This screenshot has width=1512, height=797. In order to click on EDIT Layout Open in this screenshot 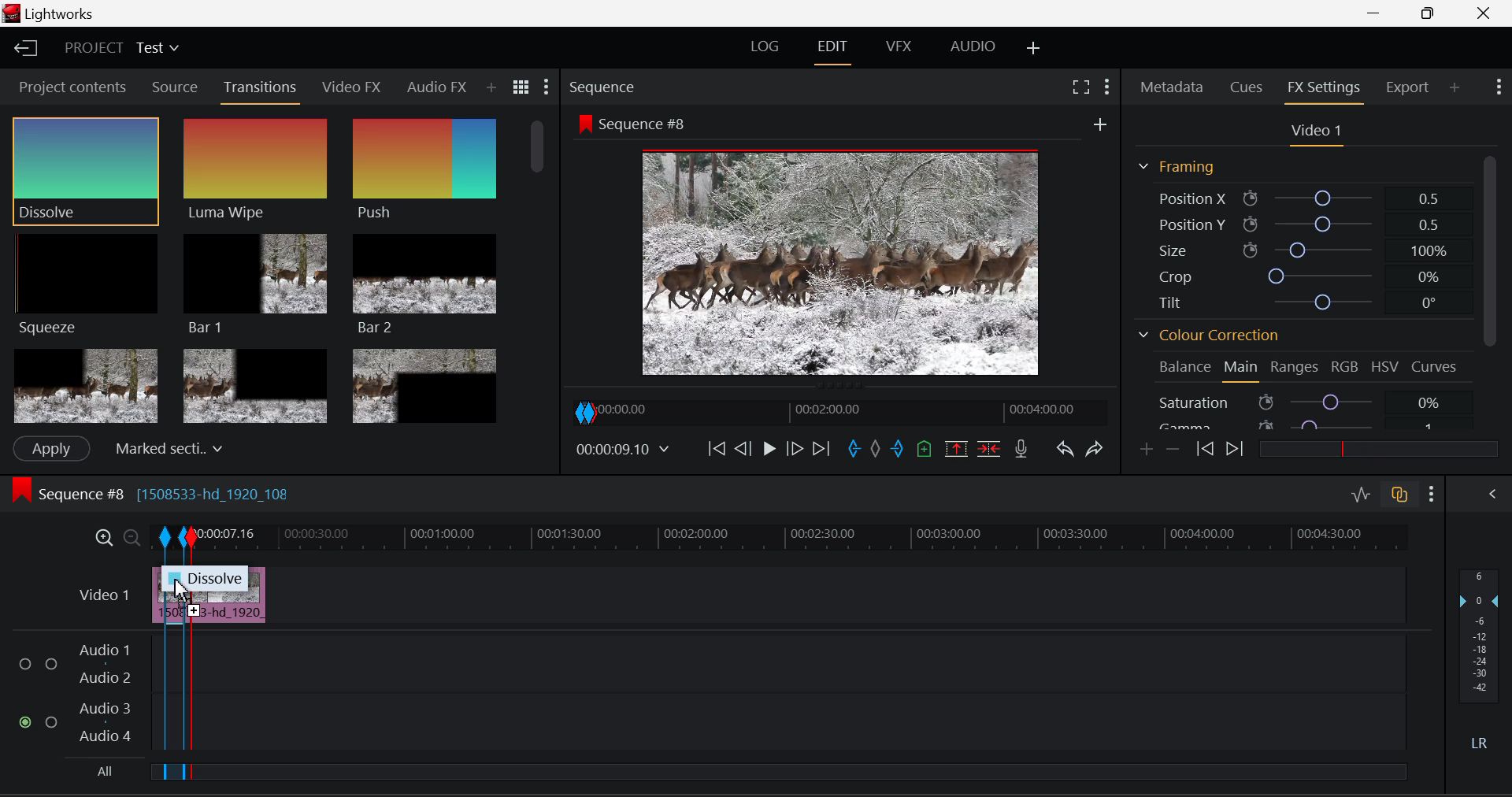, I will do `click(832, 50)`.